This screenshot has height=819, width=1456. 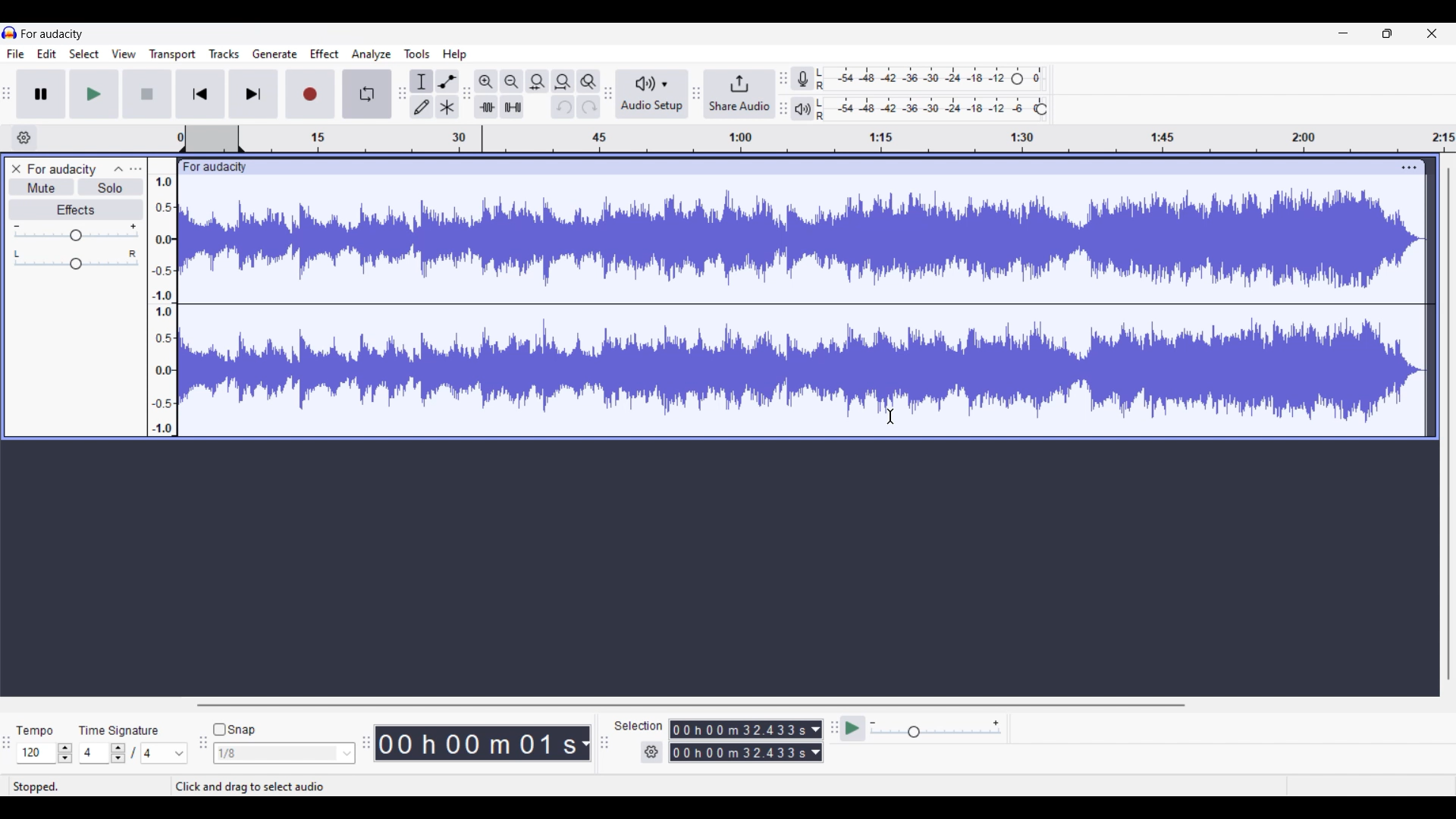 I want to click on Zoom out, so click(x=512, y=82).